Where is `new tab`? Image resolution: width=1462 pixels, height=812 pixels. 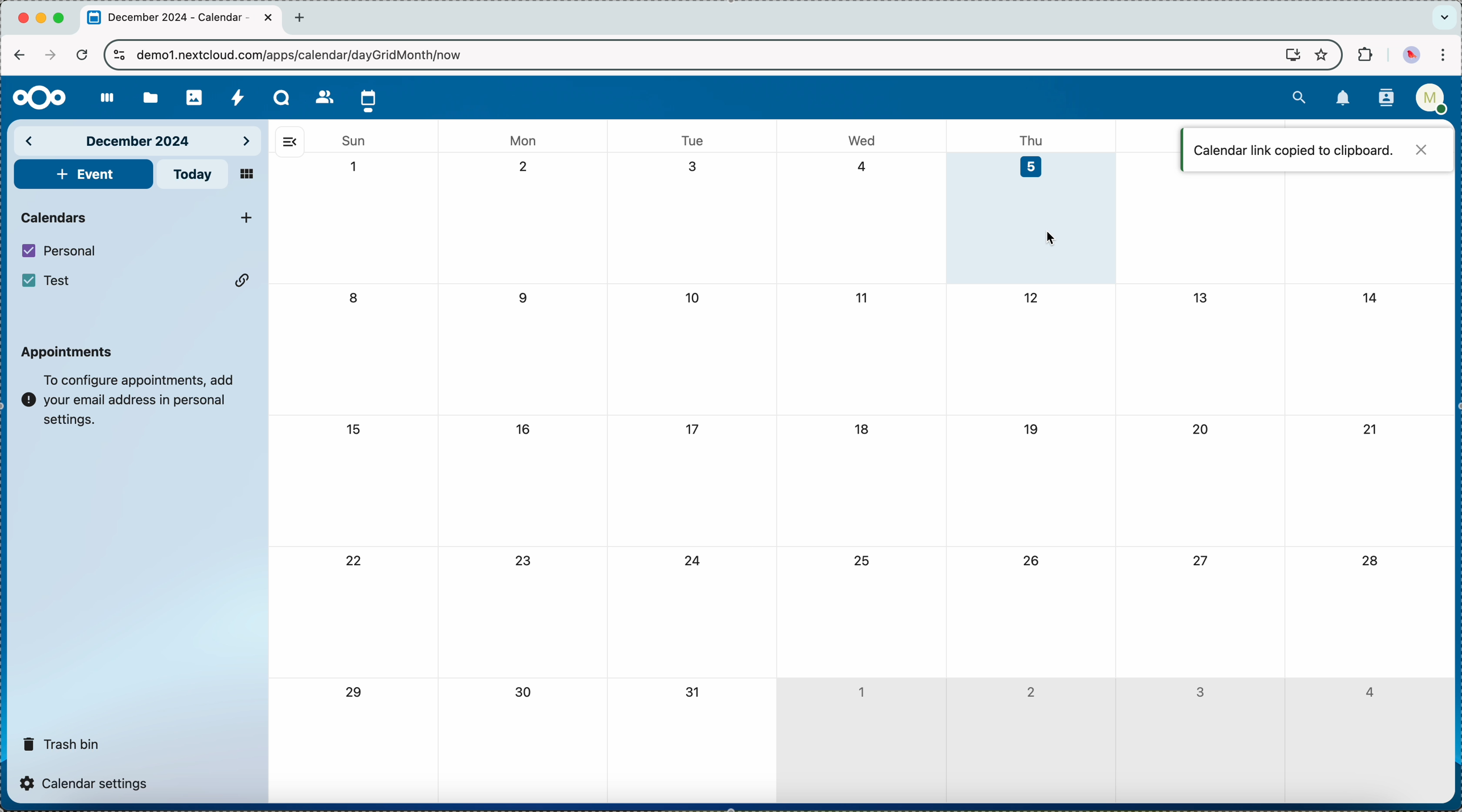 new tab is located at coordinates (303, 18).